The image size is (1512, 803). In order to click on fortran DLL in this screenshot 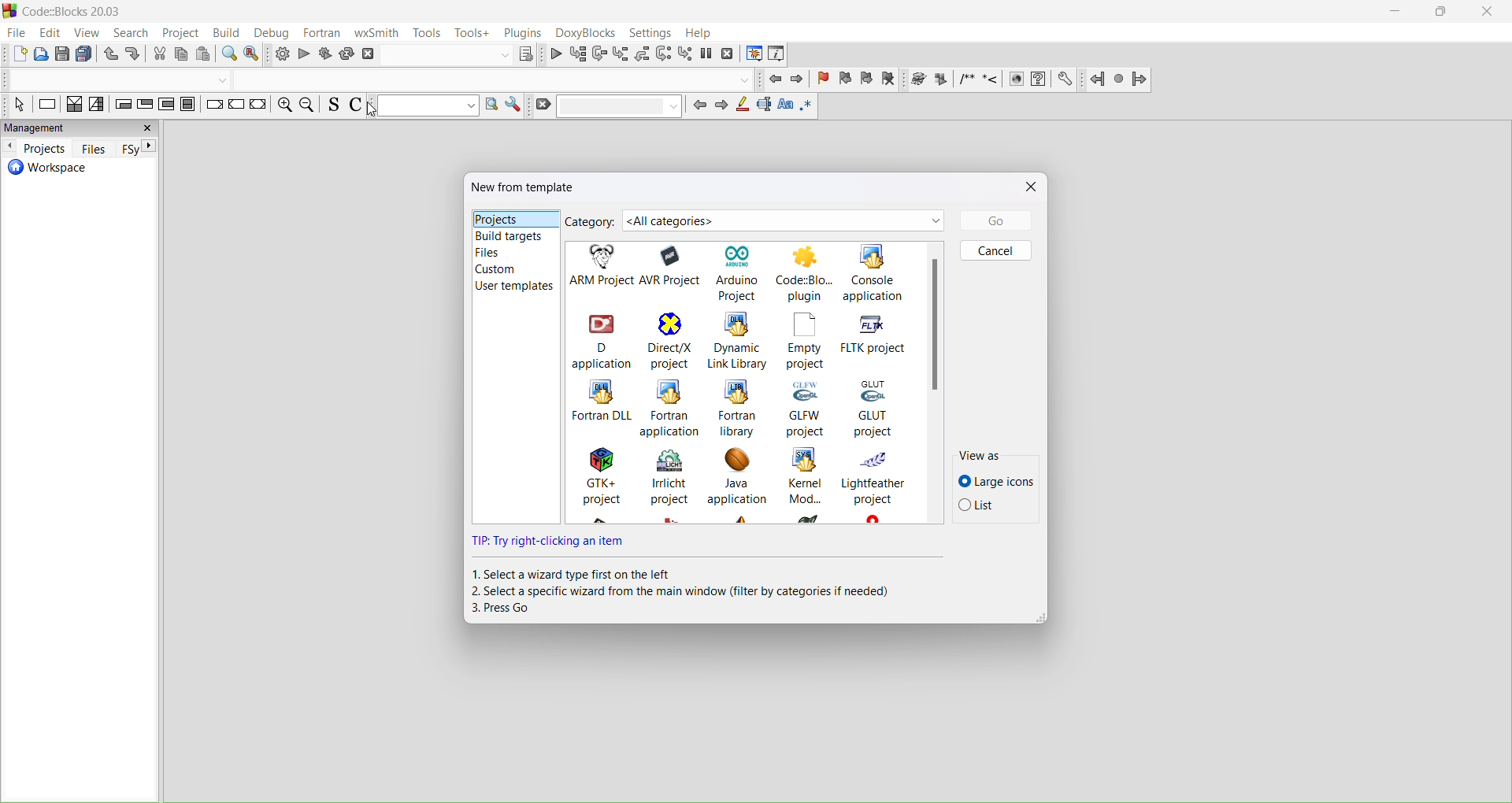, I will do `click(598, 407)`.